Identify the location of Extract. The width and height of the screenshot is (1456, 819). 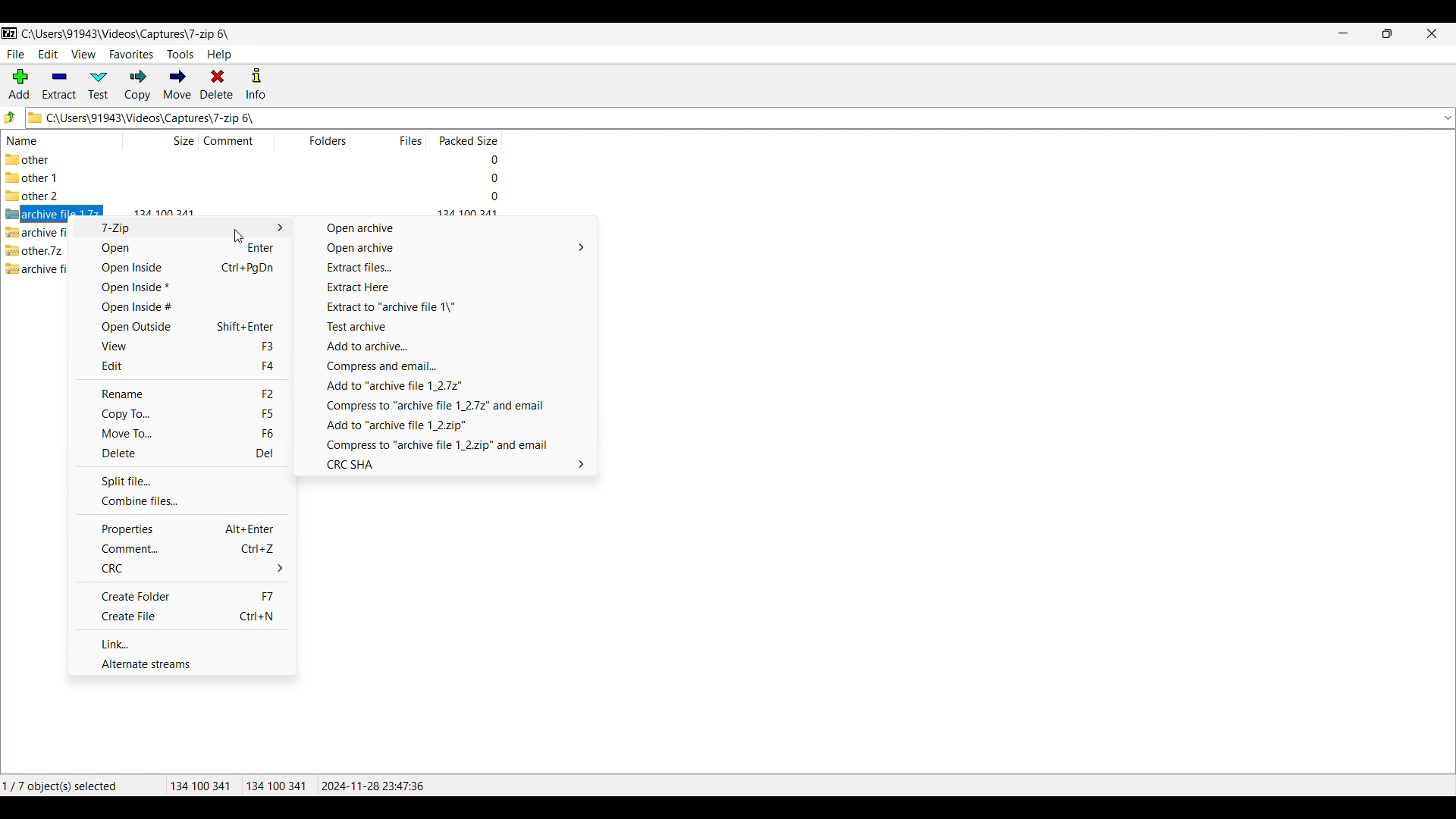
(59, 85).